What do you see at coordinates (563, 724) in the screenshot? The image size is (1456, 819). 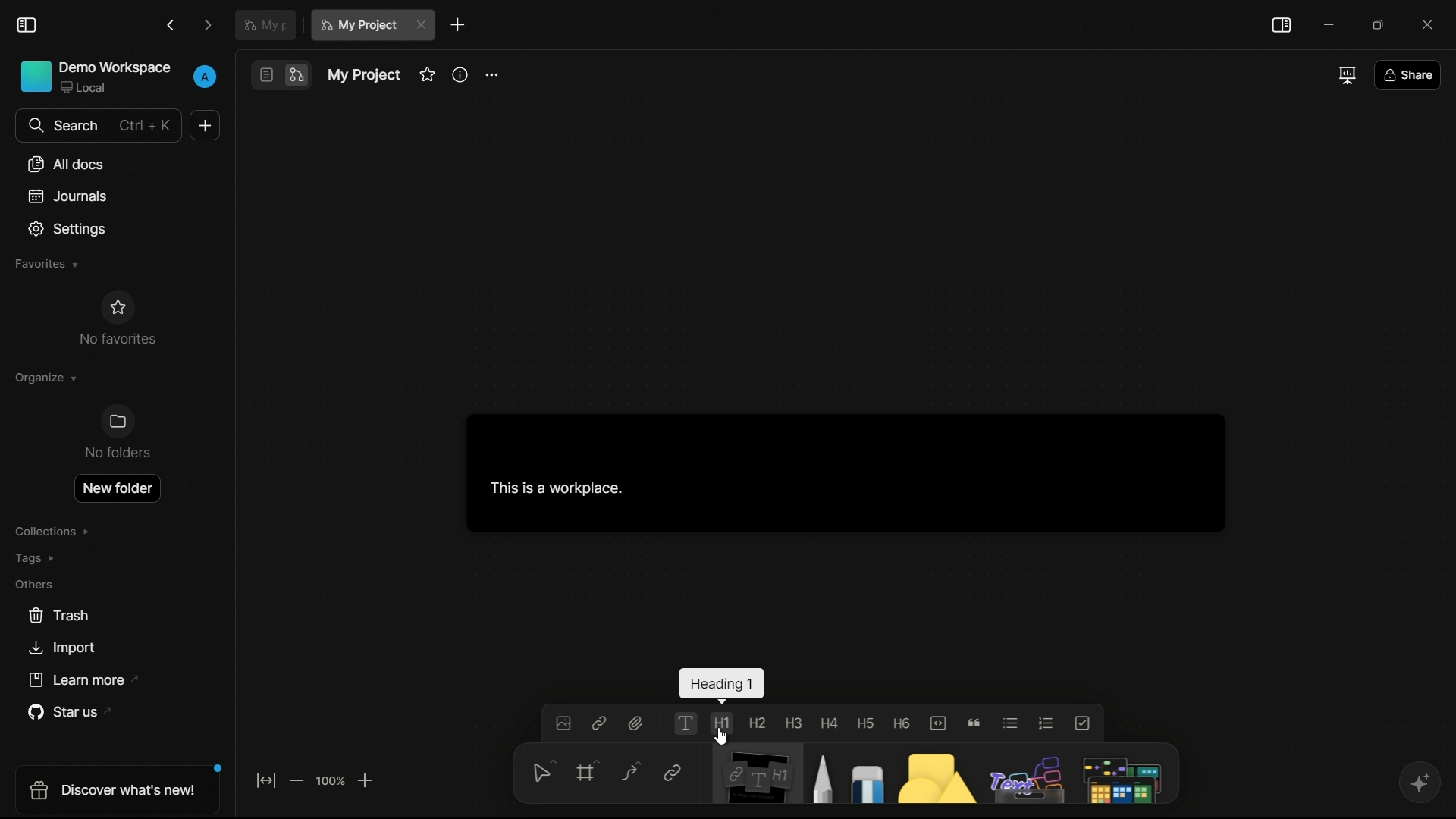 I see `insert image` at bounding box center [563, 724].